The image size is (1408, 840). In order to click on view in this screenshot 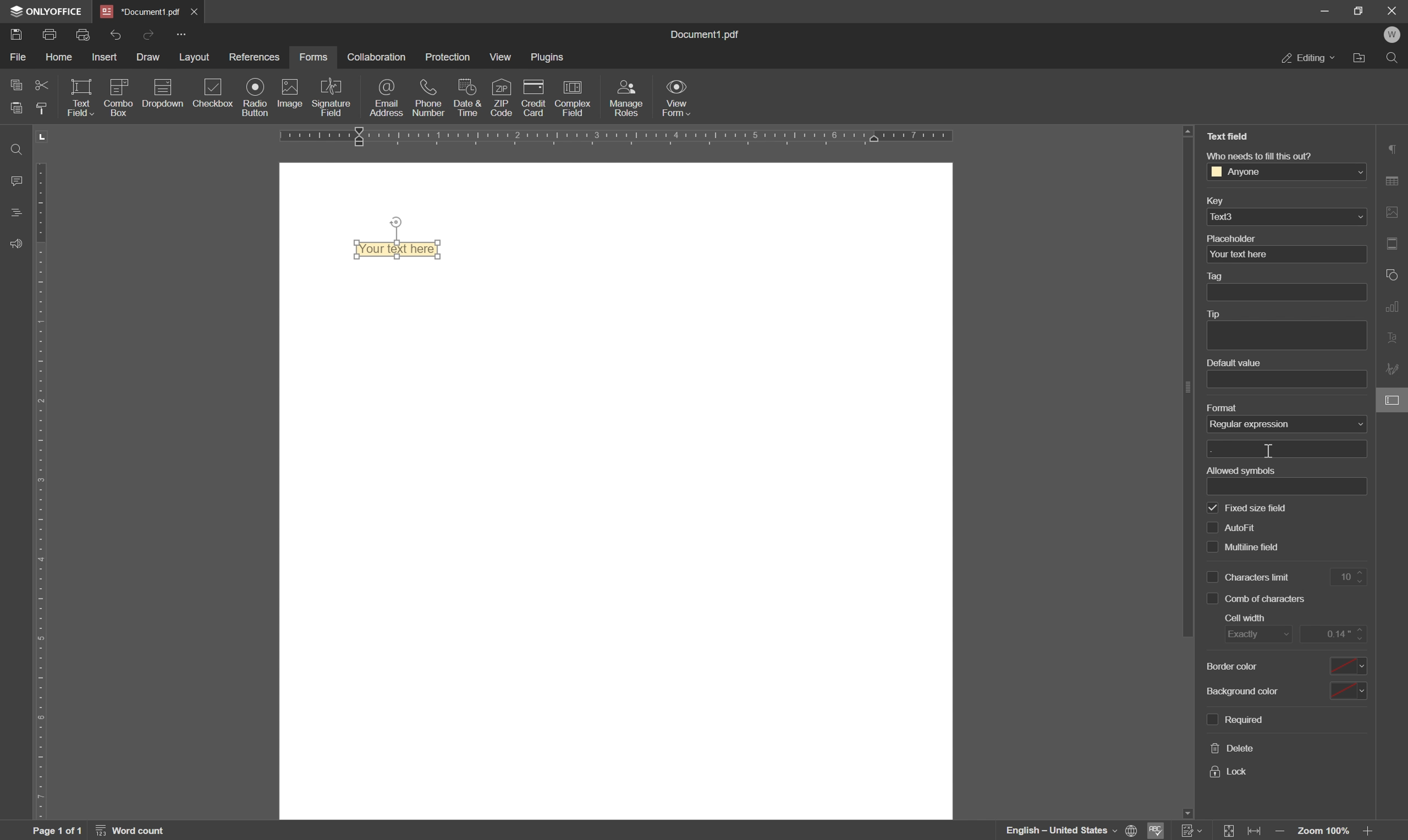, I will do `click(500, 58)`.